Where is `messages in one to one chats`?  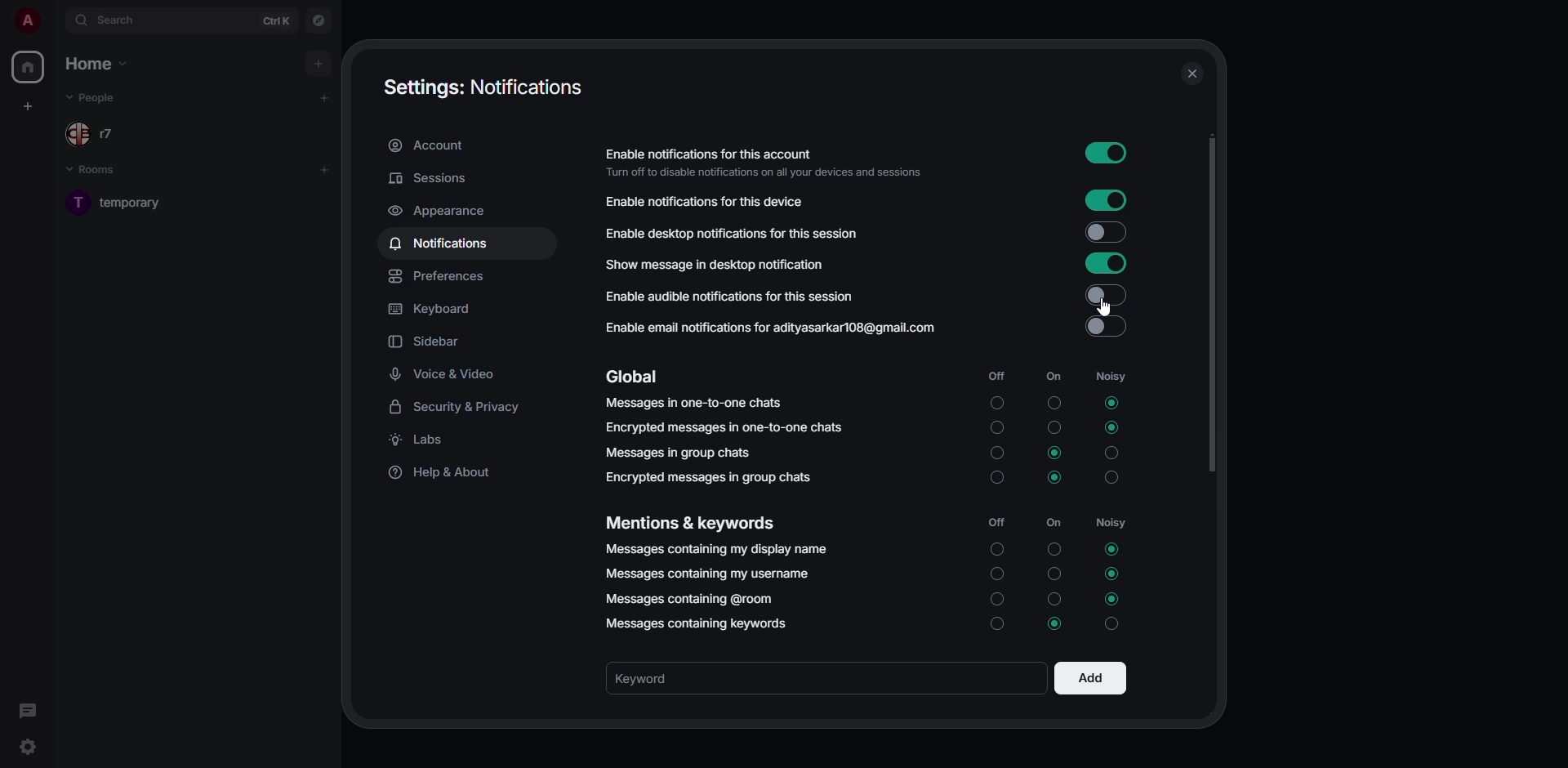
messages in one to one chats is located at coordinates (693, 404).